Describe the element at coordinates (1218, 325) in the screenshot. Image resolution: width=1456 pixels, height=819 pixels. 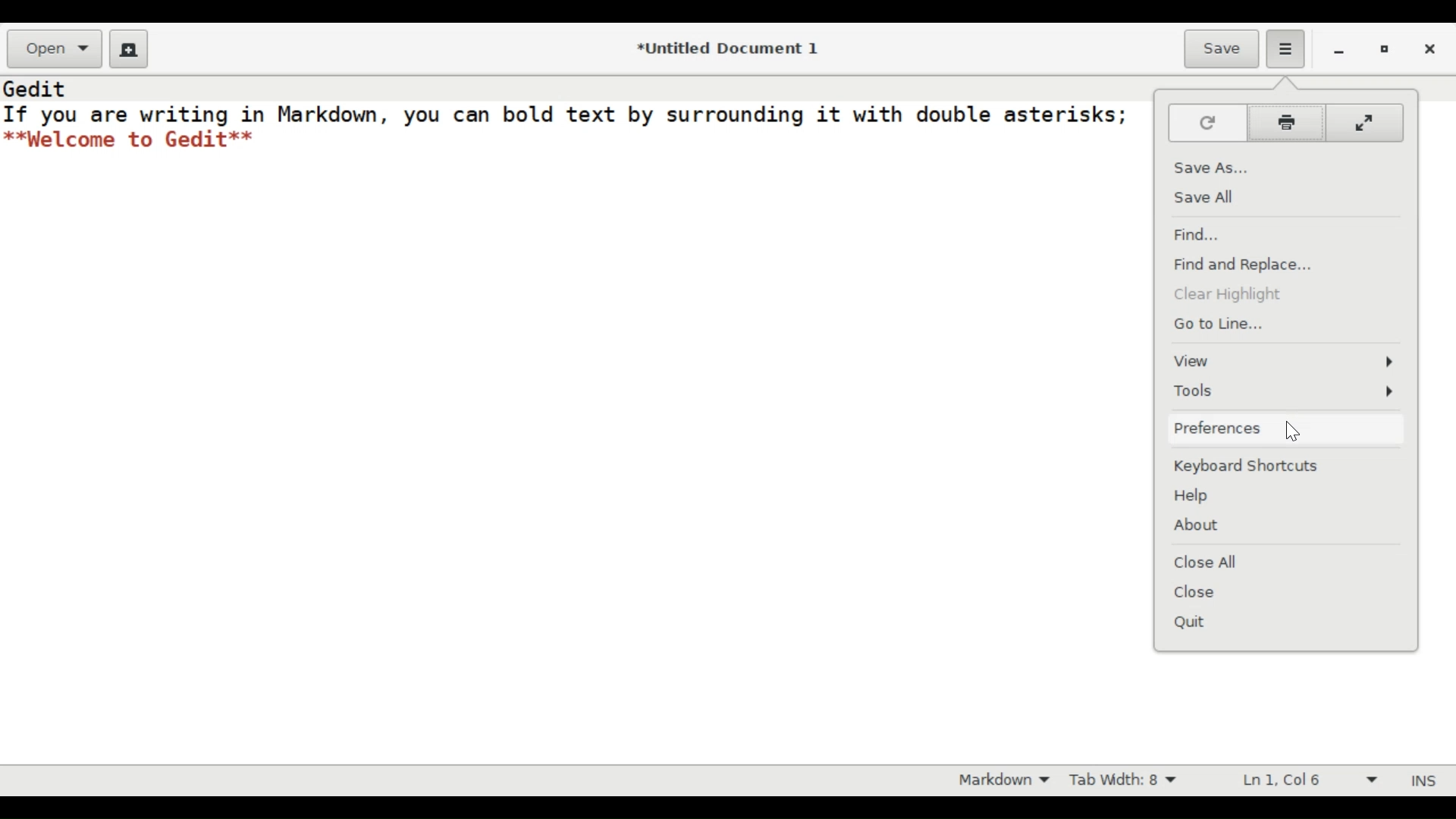
I see `Go to Line` at that location.